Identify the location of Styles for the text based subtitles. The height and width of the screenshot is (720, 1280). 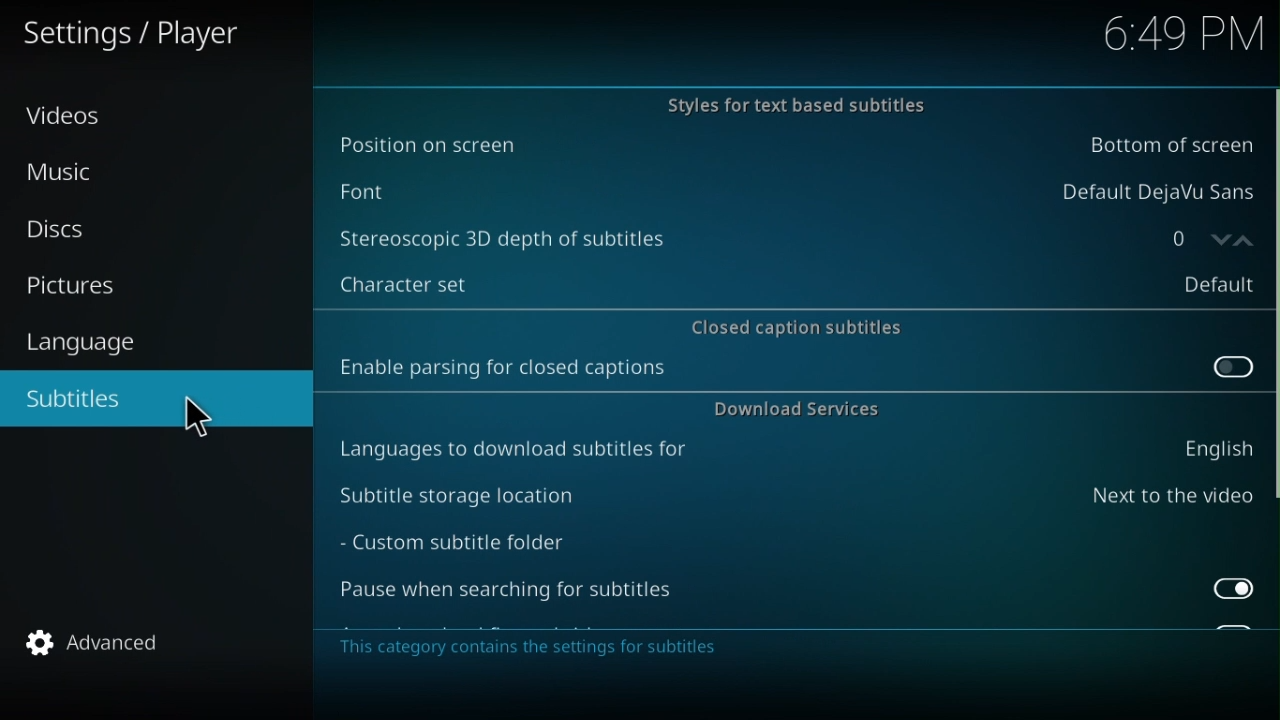
(787, 106).